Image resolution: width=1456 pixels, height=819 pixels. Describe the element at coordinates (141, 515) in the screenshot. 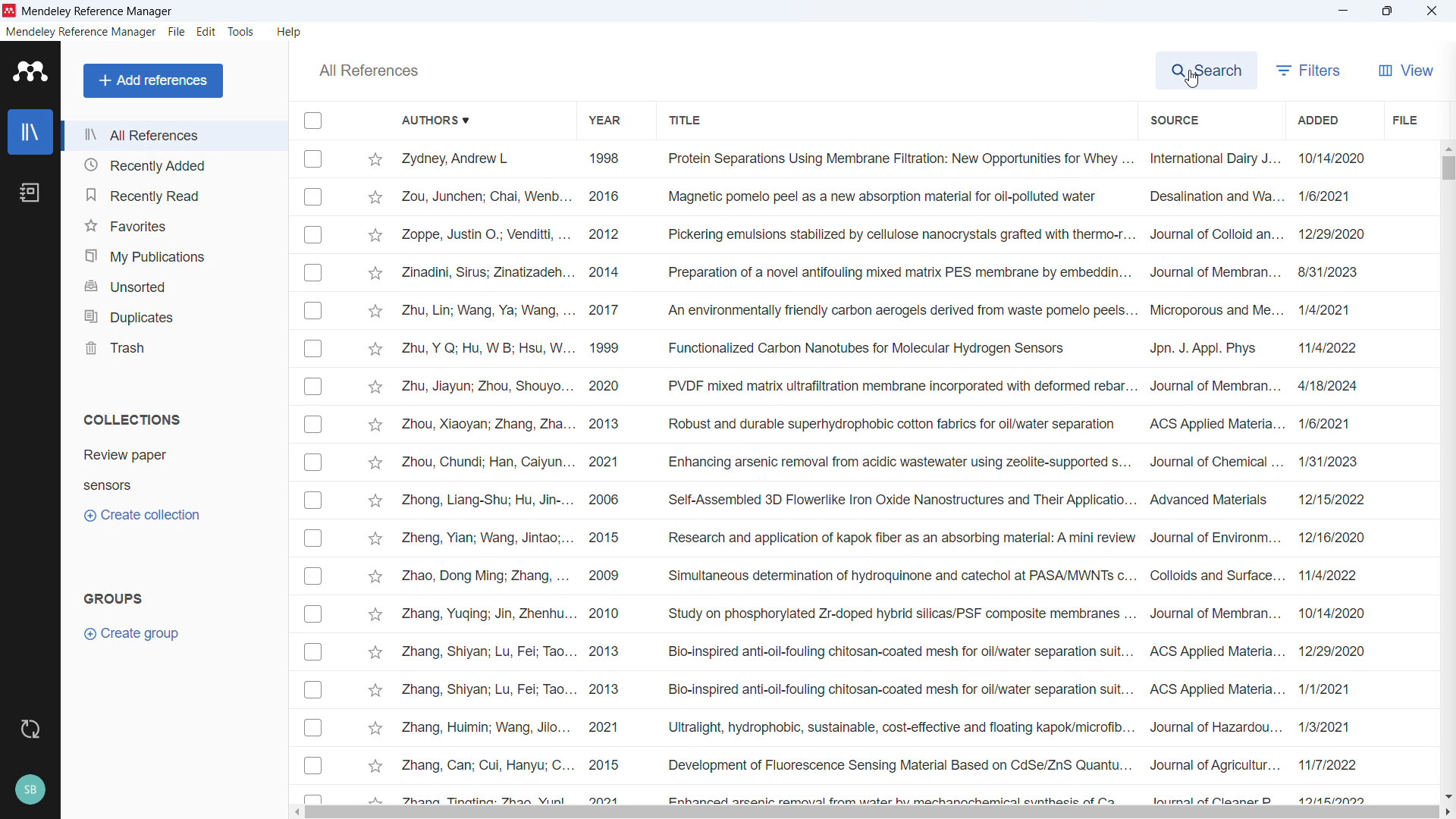

I see `Create collection ` at that location.